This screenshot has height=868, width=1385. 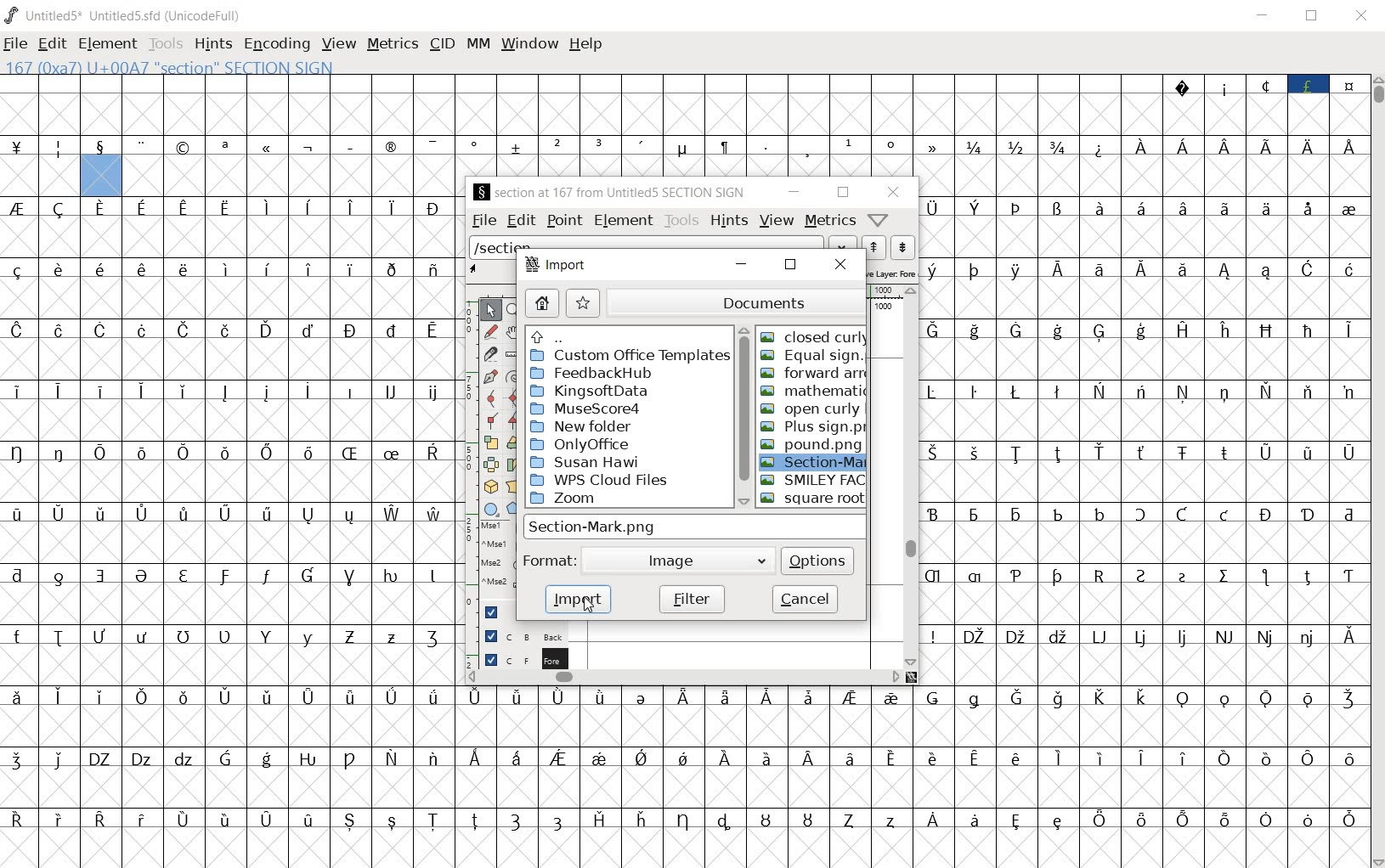 I want to click on special letters, so click(x=1142, y=268).